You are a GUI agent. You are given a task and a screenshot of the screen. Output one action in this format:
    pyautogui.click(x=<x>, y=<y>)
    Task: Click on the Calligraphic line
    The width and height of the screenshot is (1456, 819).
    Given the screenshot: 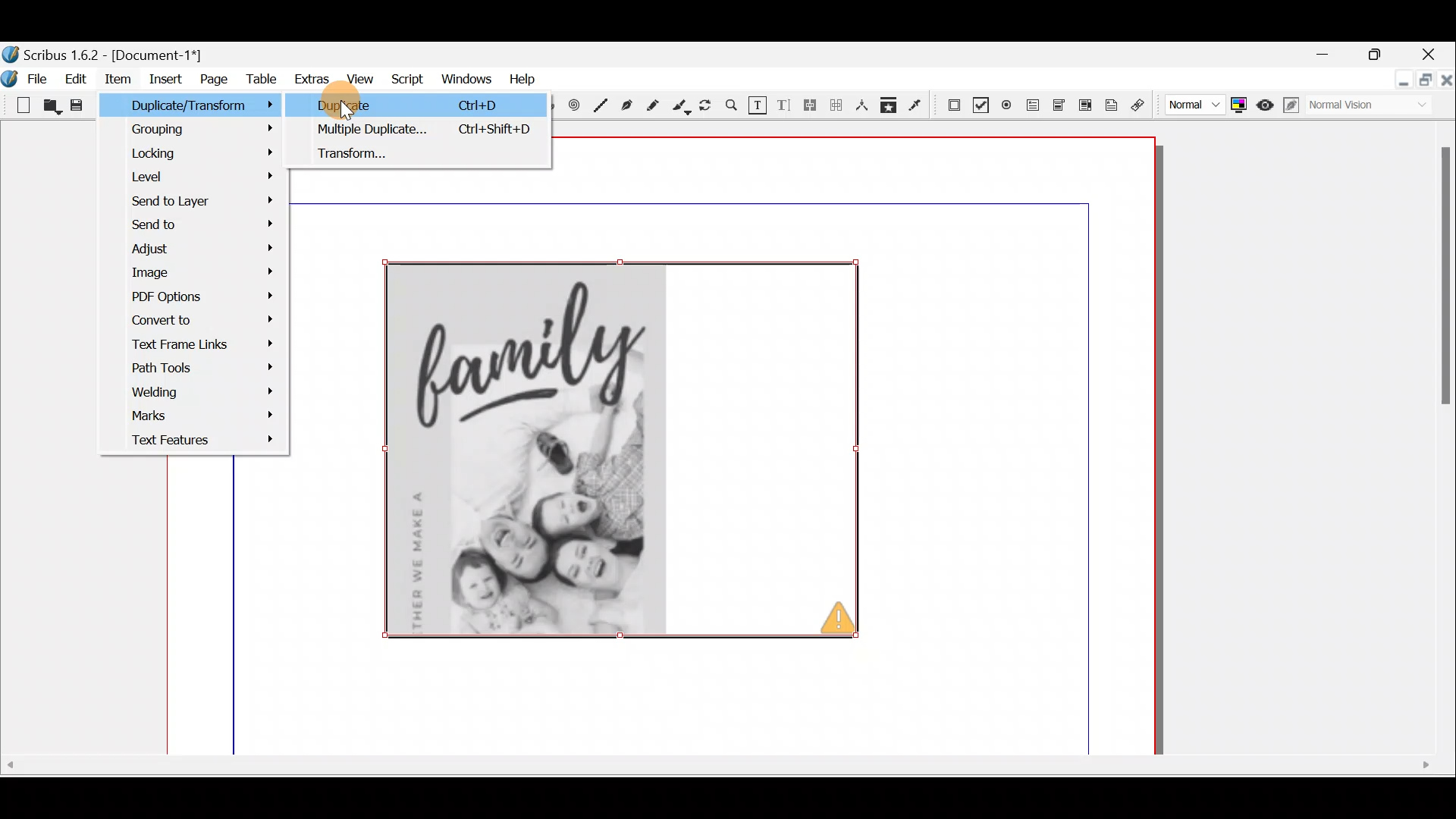 What is the action you would take?
    pyautogui.click(x=682, y=107)
    